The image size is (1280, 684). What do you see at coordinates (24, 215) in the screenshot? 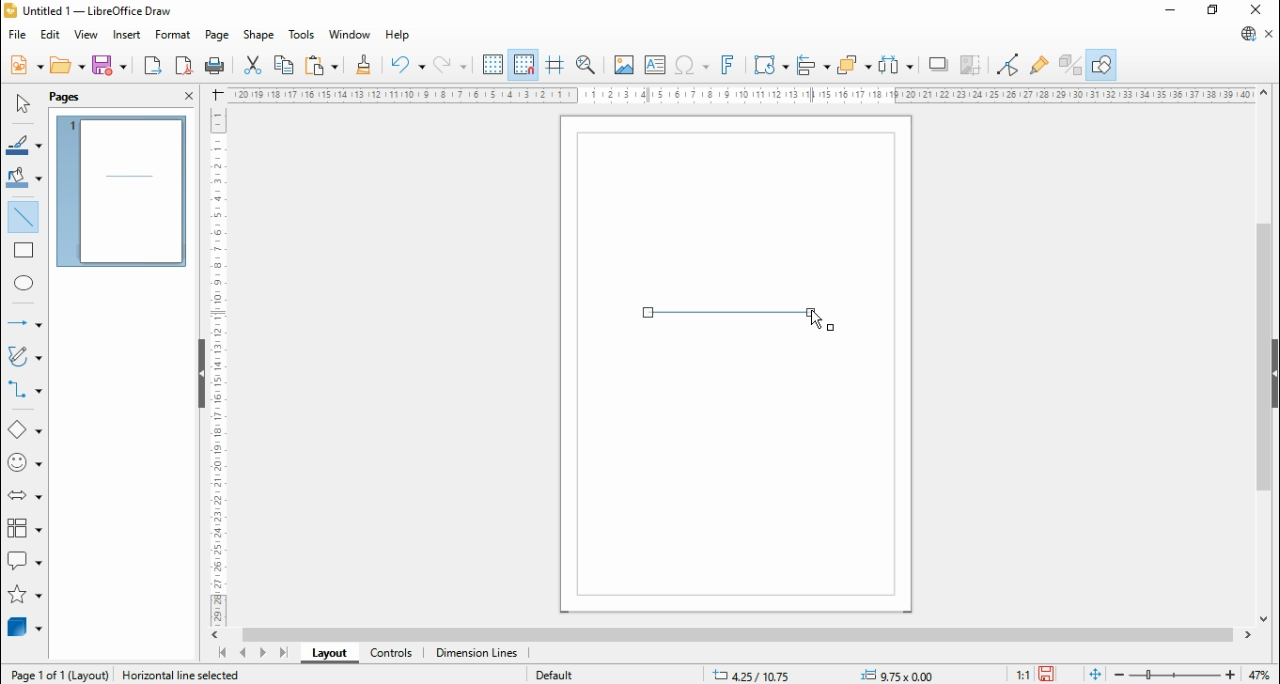
I see `insert line` at bounding box center [24, 215].